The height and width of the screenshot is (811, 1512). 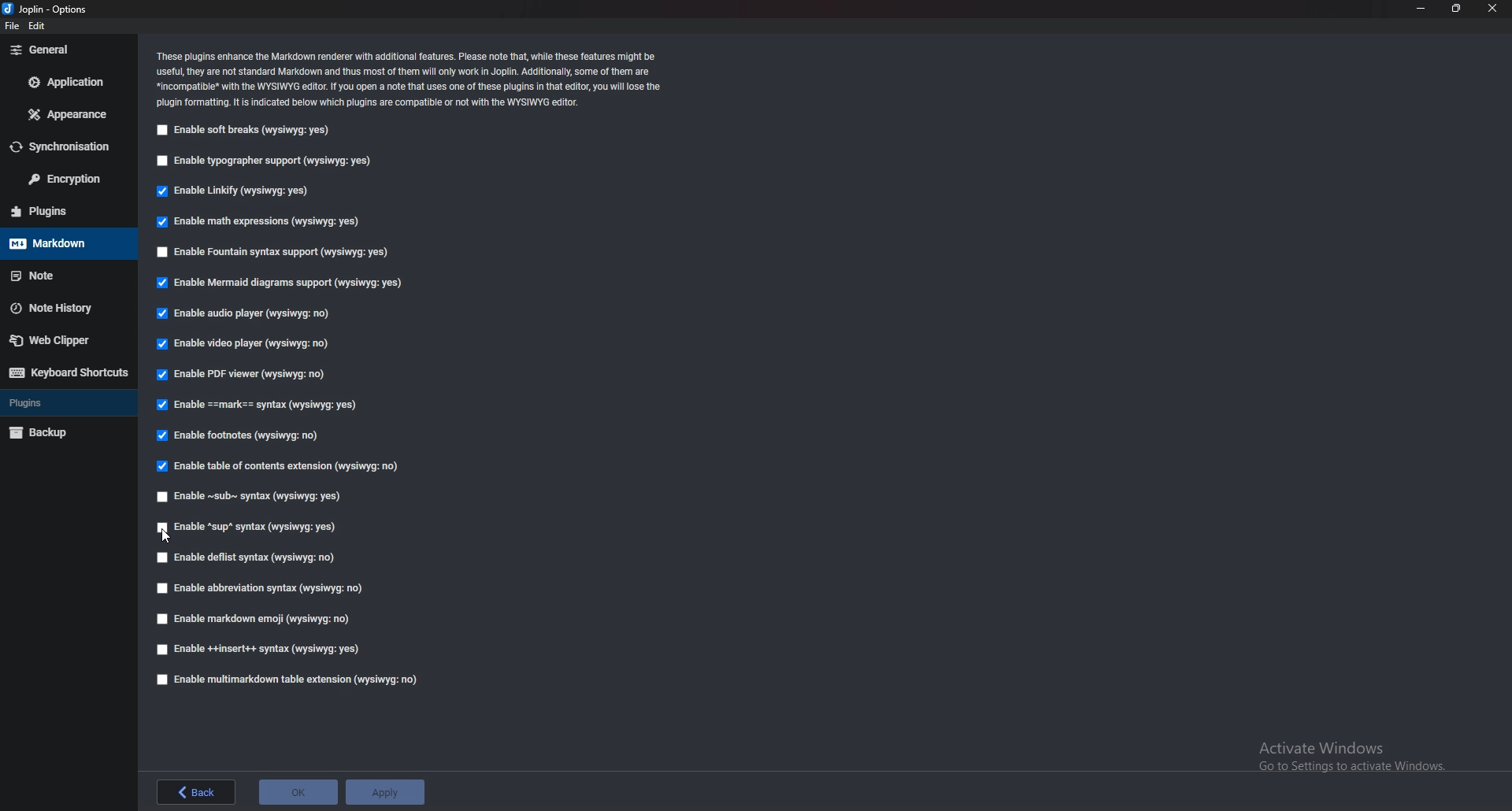 I want to click on Enable ++insert++ syntax (wysiwyg: yes), so click(x=260, y=648).